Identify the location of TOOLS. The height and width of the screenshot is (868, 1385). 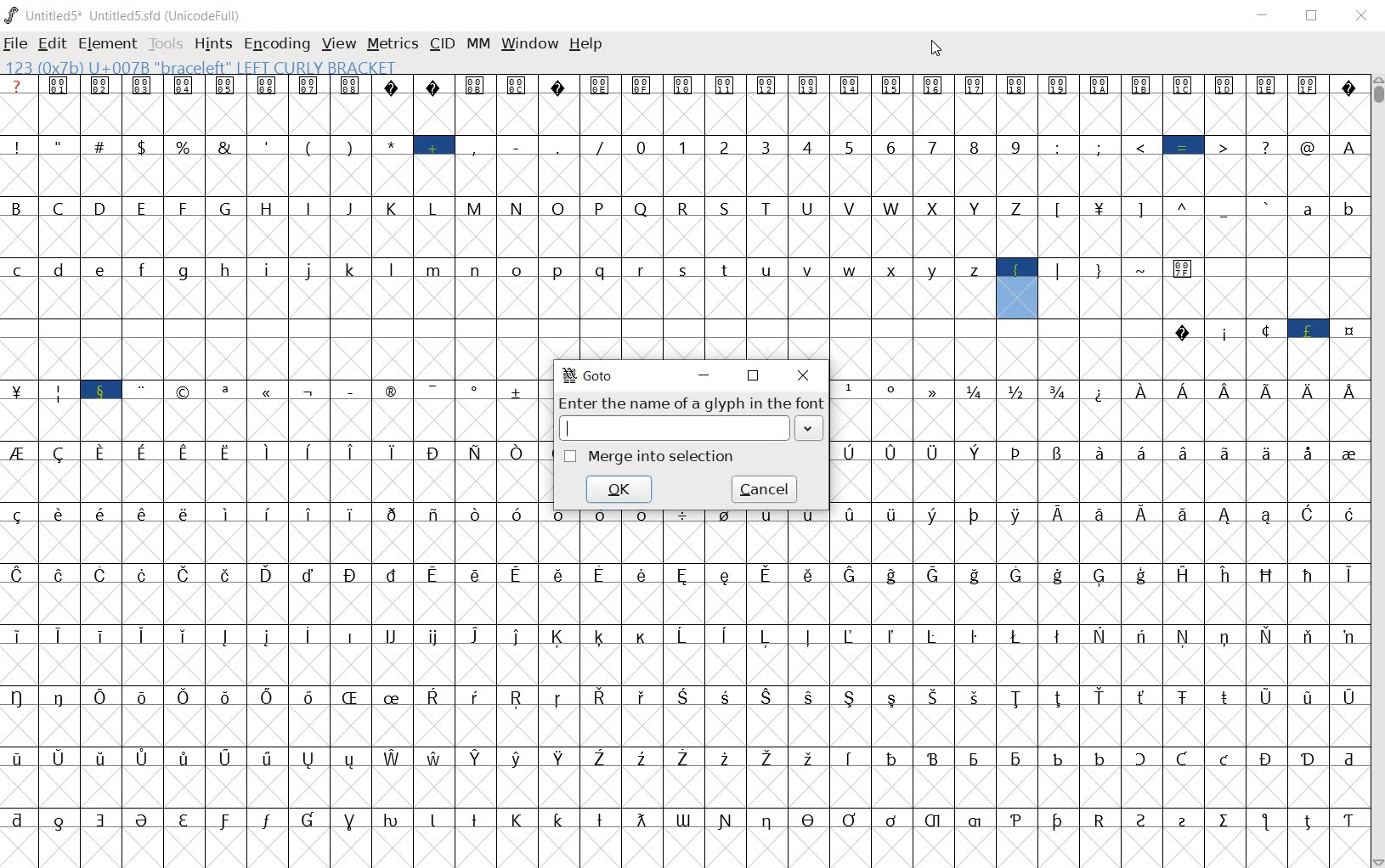
(164, 45).